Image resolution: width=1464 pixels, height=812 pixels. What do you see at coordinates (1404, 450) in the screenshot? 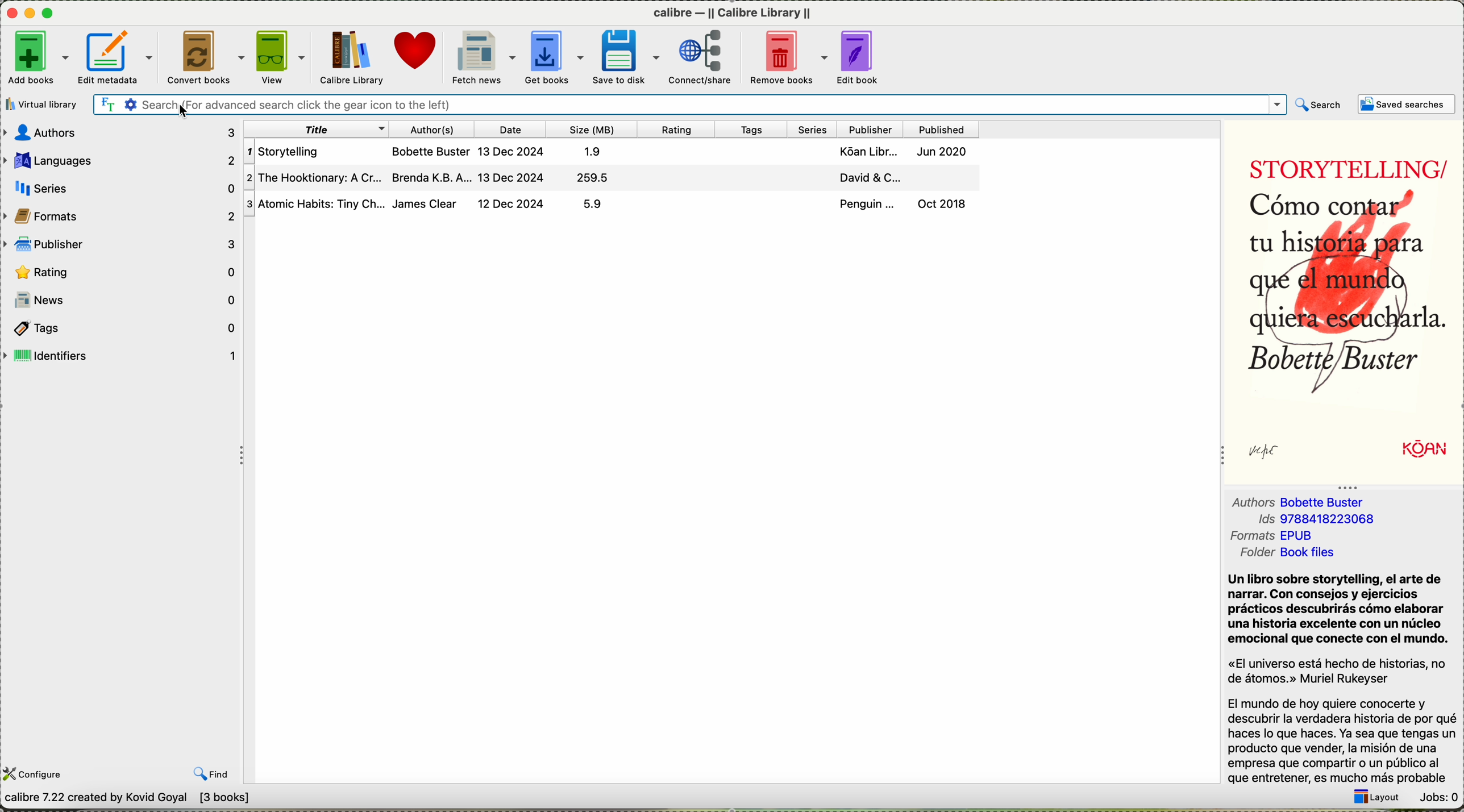
I see `Koan` at bounding box center [1404, 450].